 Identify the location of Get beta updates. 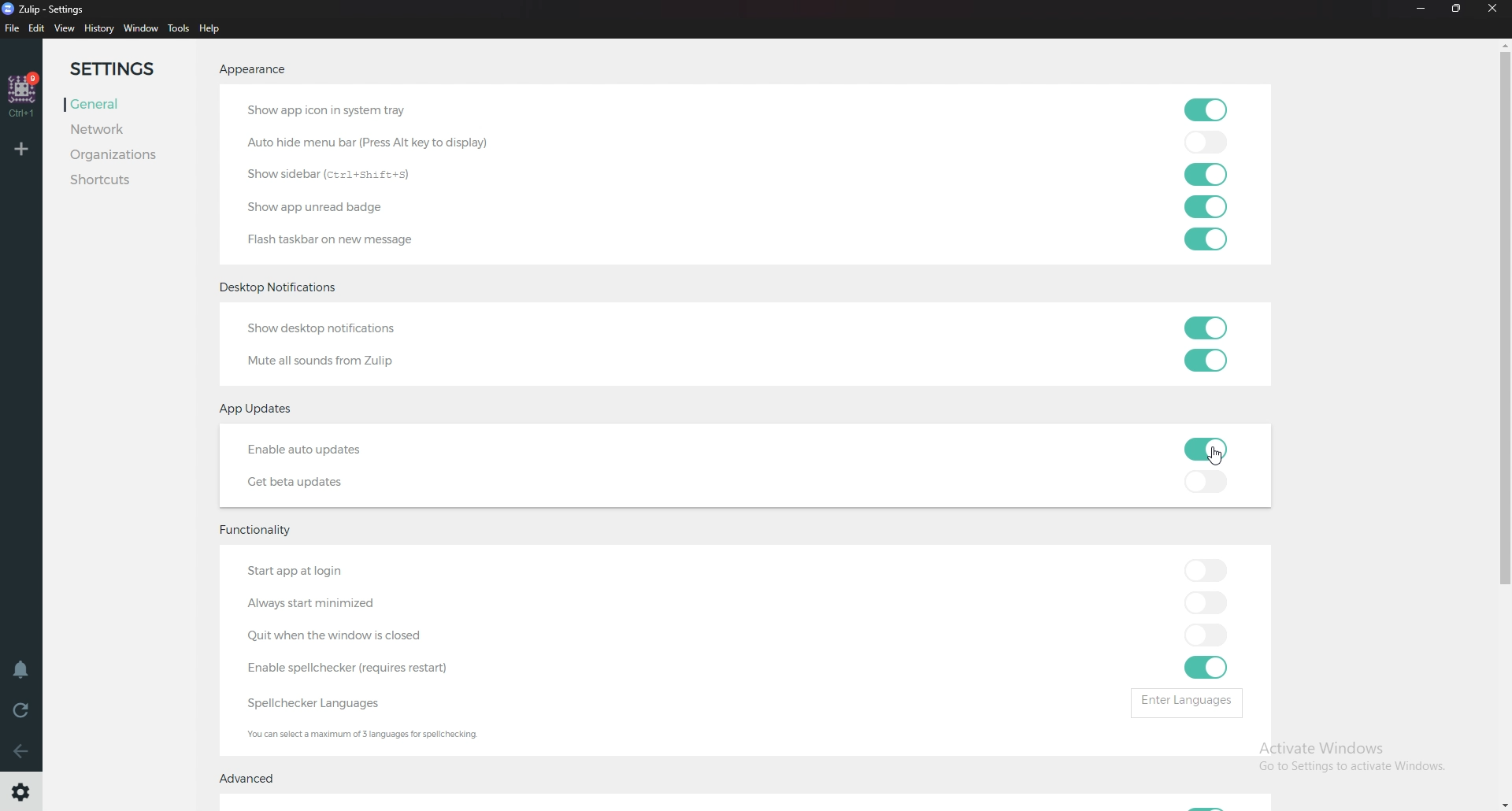
(306, 483).